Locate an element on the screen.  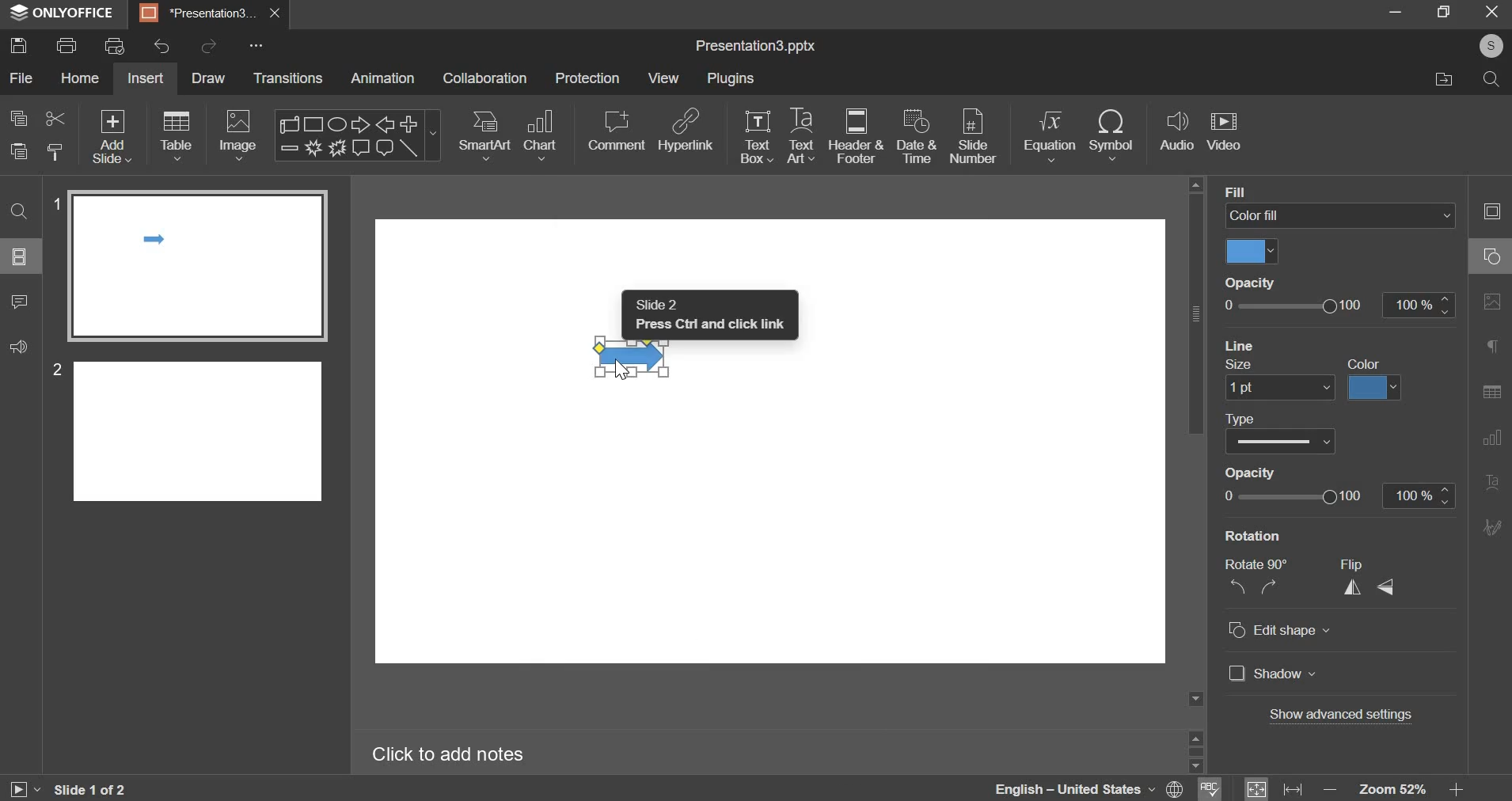
select line type is located at coordinates (1280, 441).